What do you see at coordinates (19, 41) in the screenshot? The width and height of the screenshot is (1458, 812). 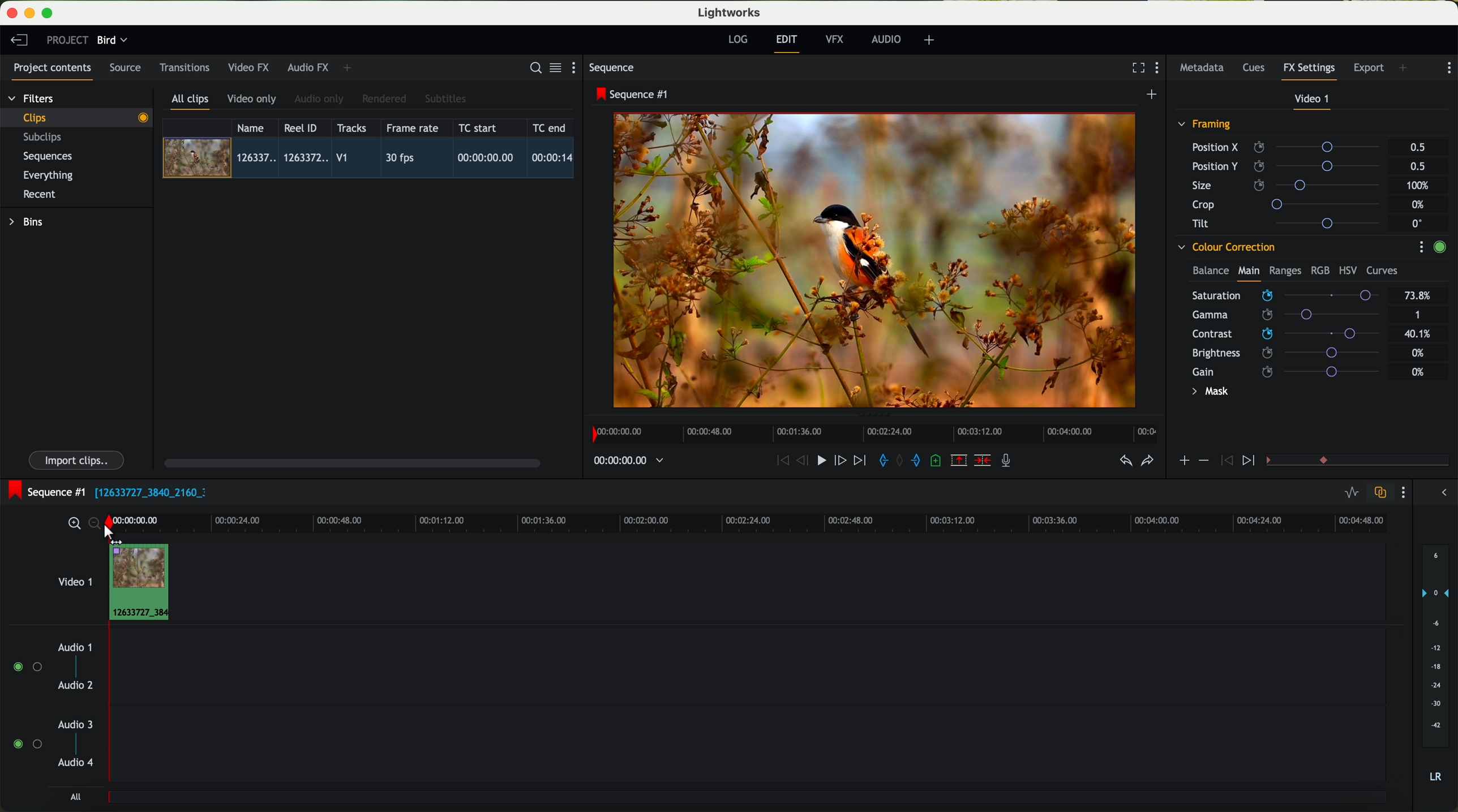 I see `leave` at bounding box center [19, 41].